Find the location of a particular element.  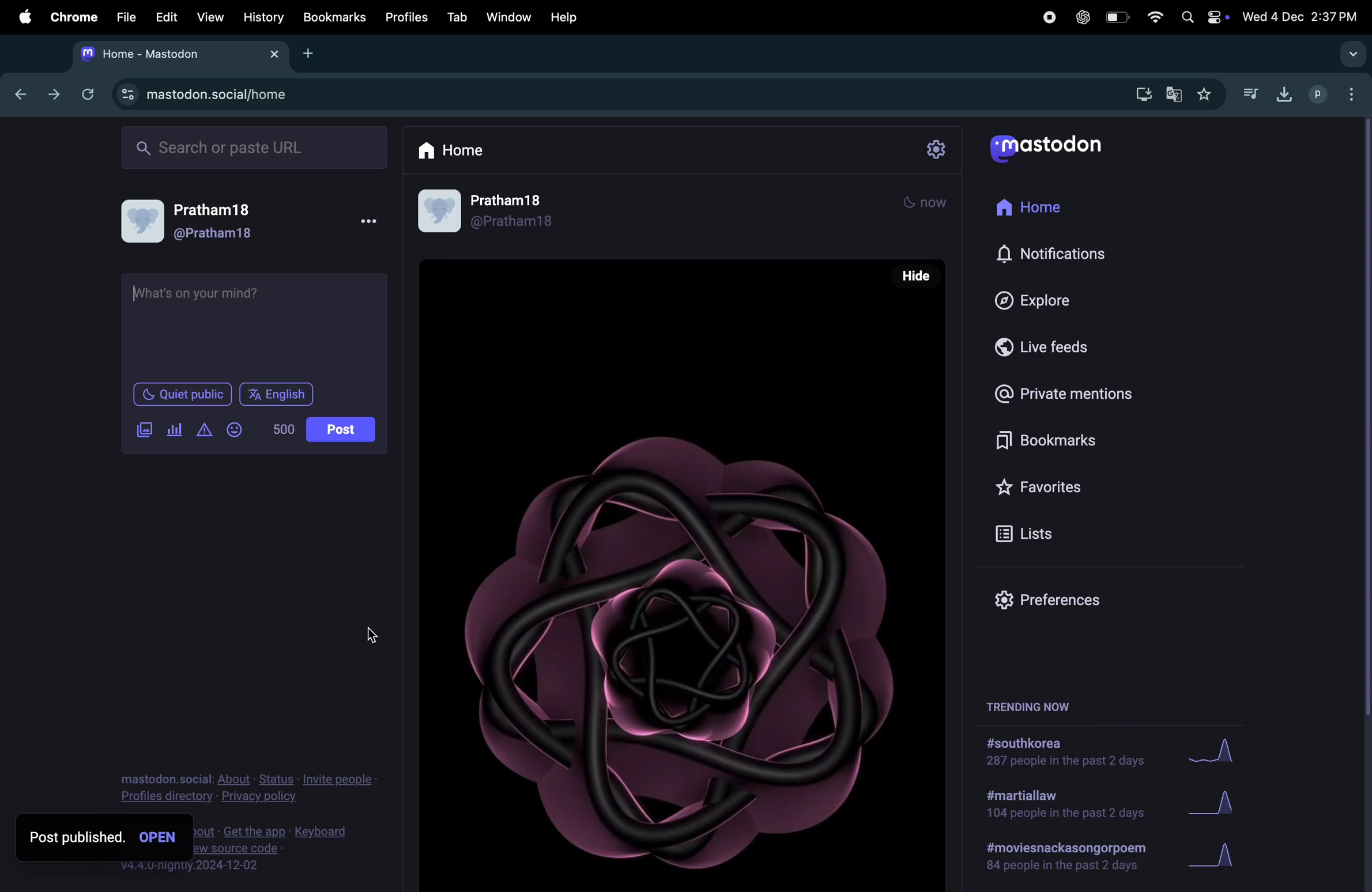

Explore is located at coordinates (1043, 300).